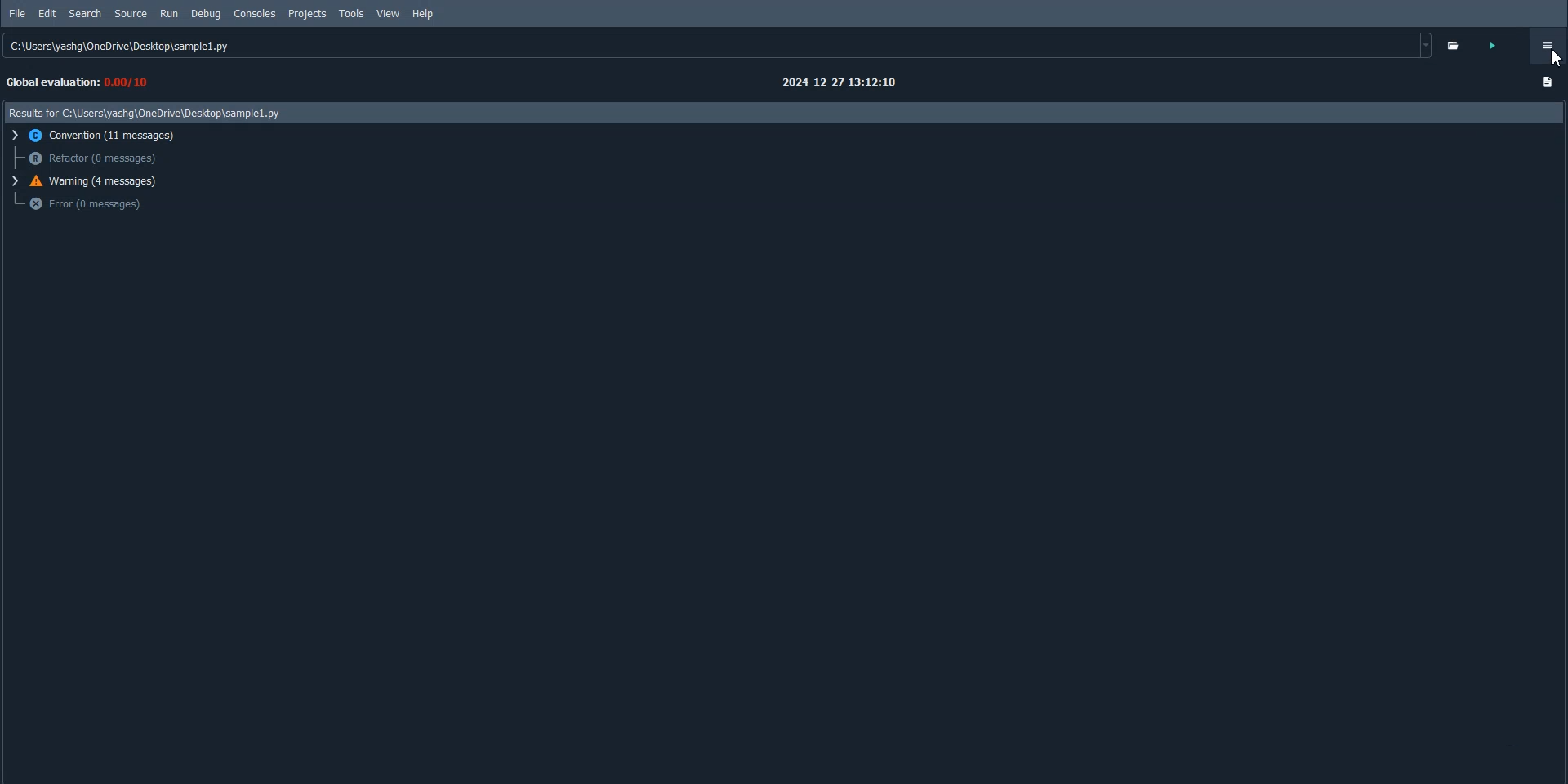 This screenshot has width=1568, height=784. I want to click on 2024-12-27 13:12:10, so click(827, 84).